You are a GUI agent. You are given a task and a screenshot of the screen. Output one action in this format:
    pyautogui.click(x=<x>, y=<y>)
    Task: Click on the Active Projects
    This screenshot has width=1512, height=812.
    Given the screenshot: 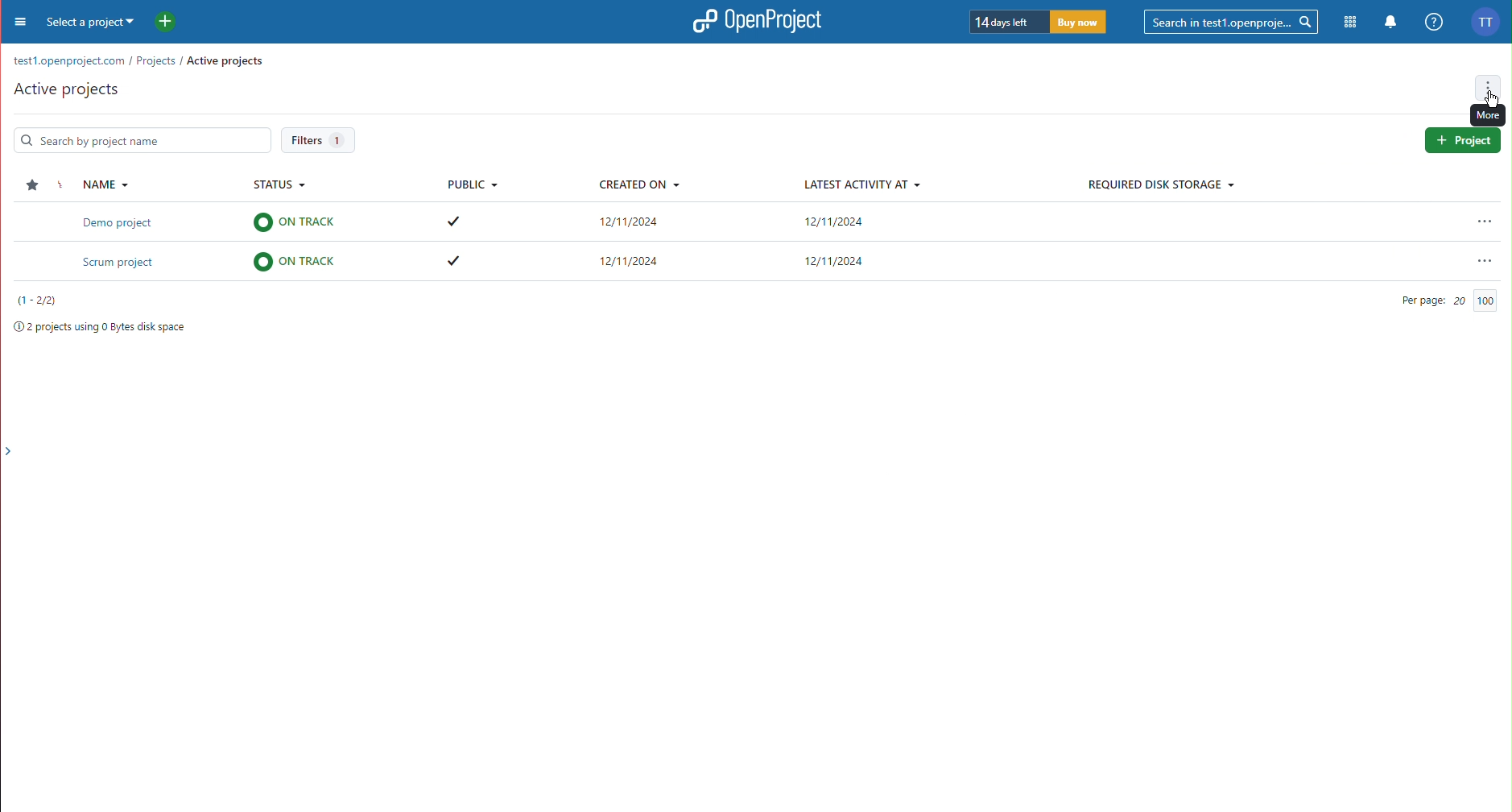 What is the action you would take?
    pyautogui.click(x=67, y=91)
    